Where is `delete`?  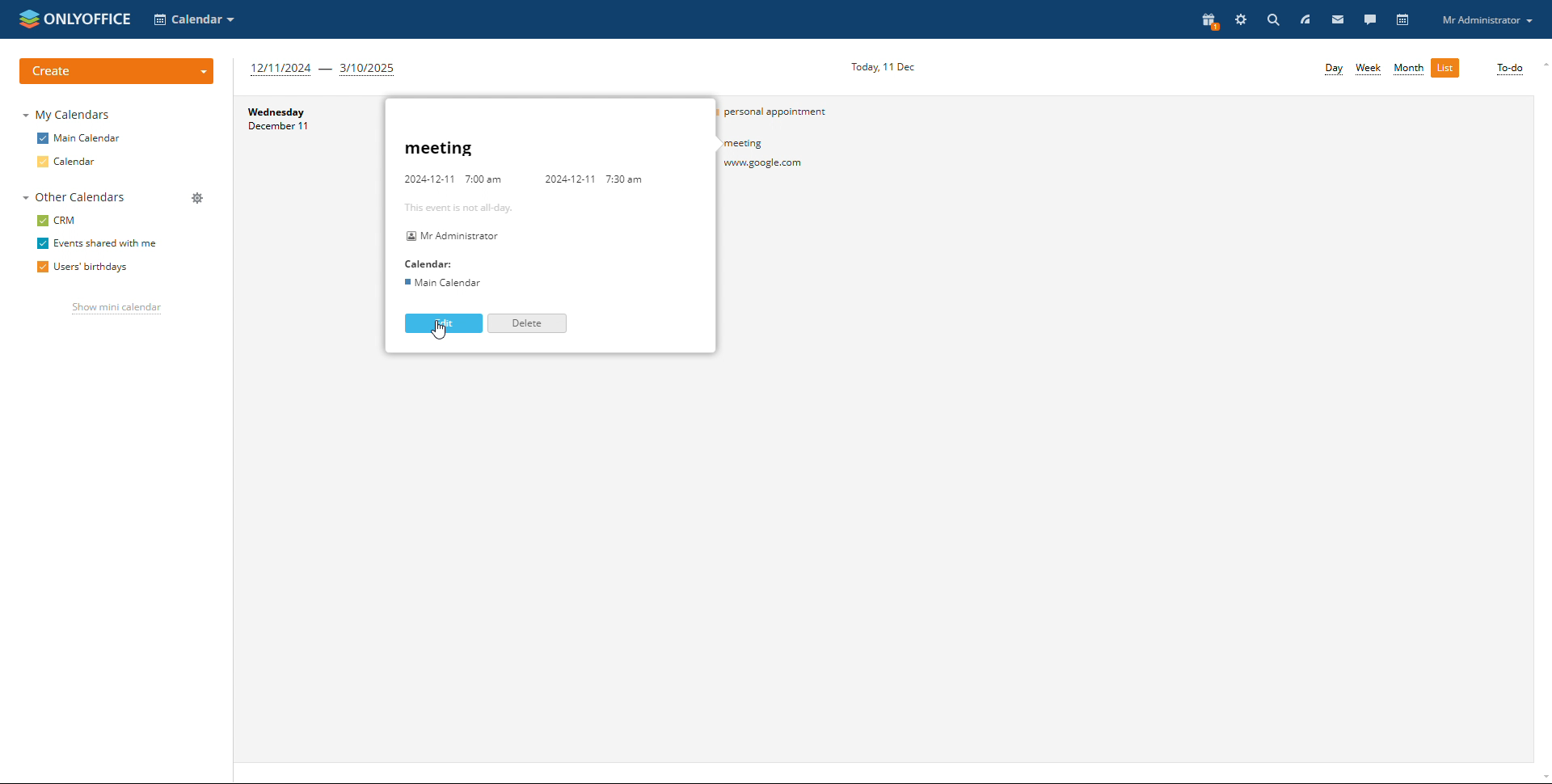 delete is located at coordinates (527, 323).